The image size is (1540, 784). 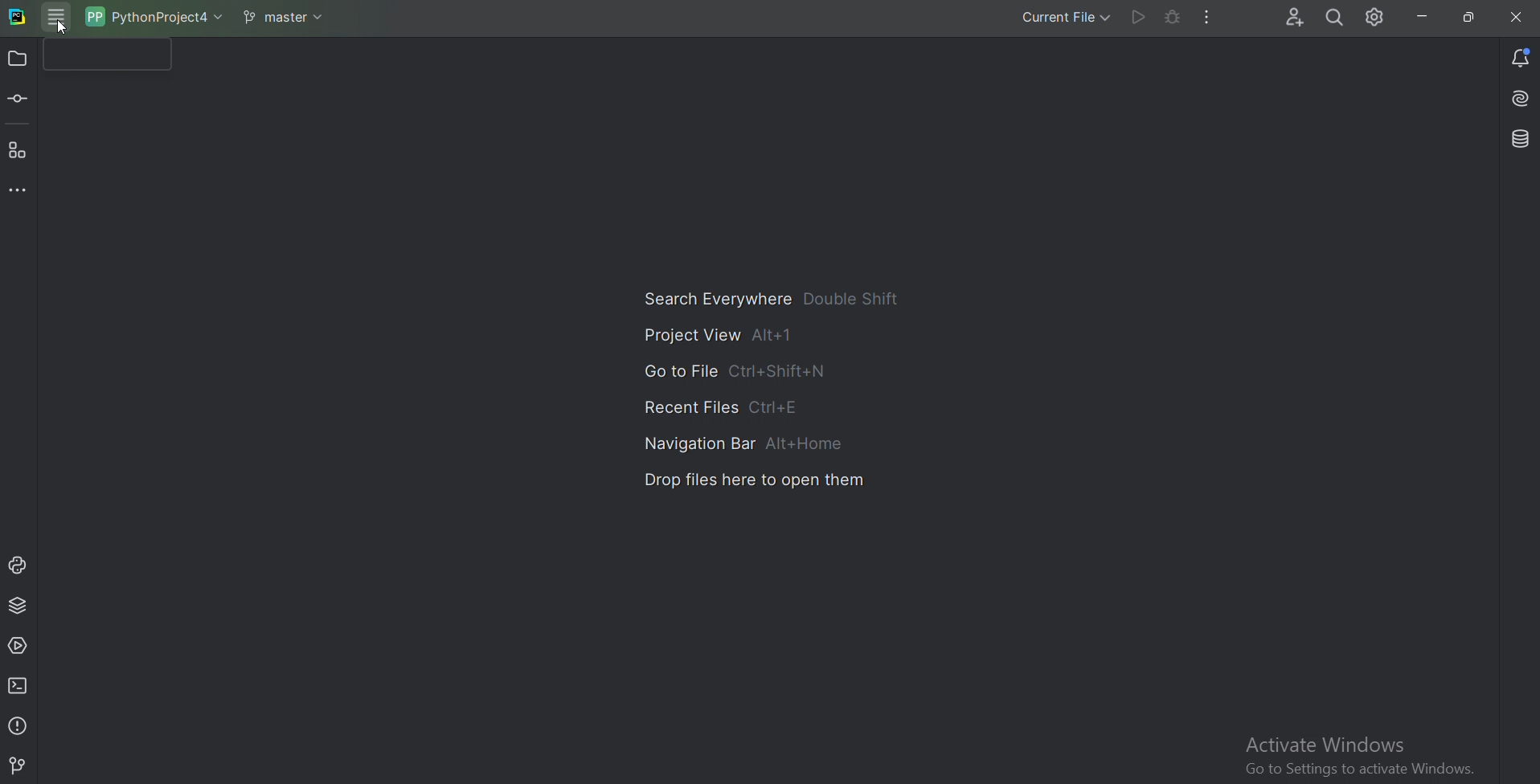 I want to click on More Actions, so click(x=1207, y=17).